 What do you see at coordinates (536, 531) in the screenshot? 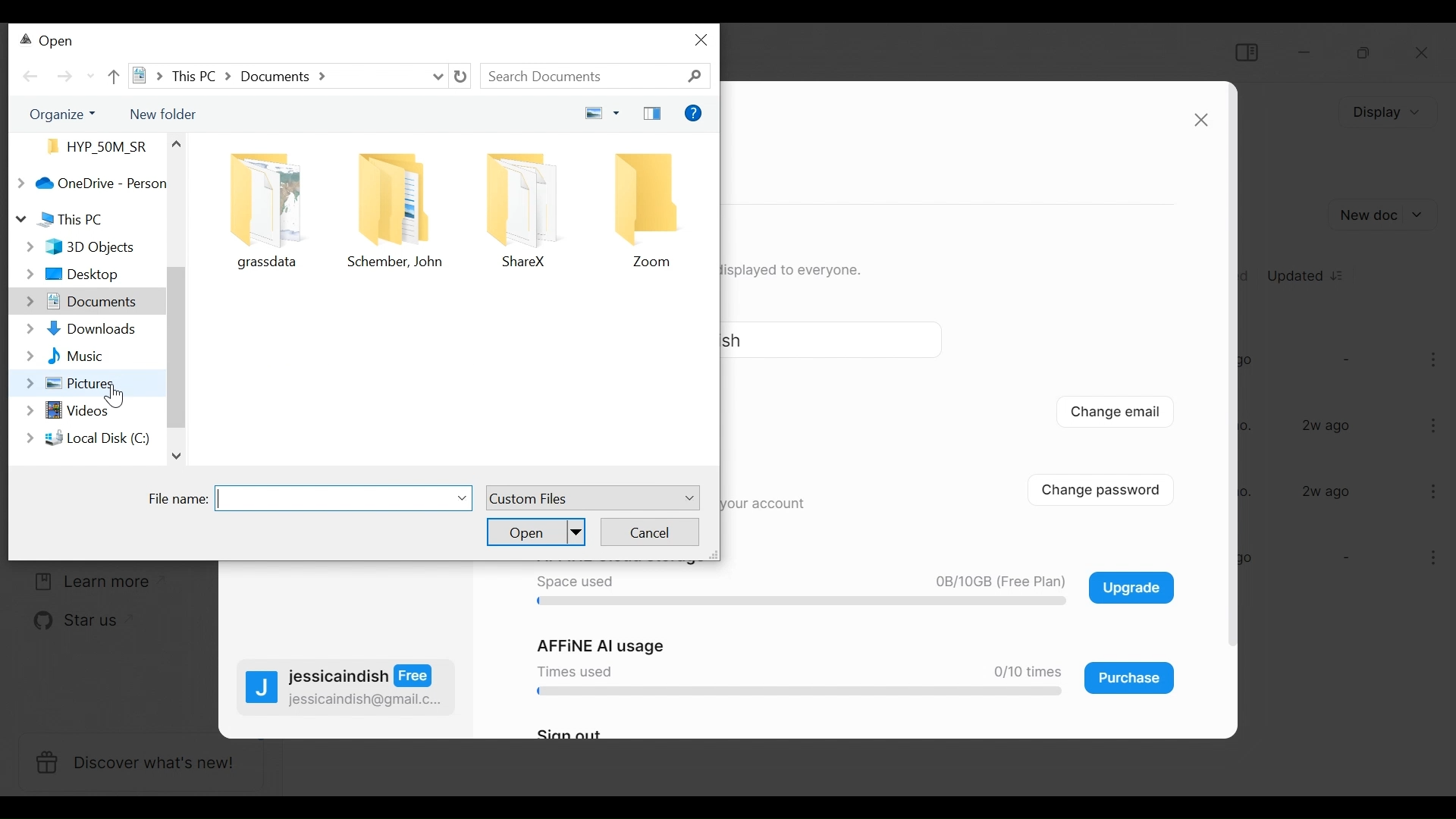
I see `Open` at bounding box center [536, 531].